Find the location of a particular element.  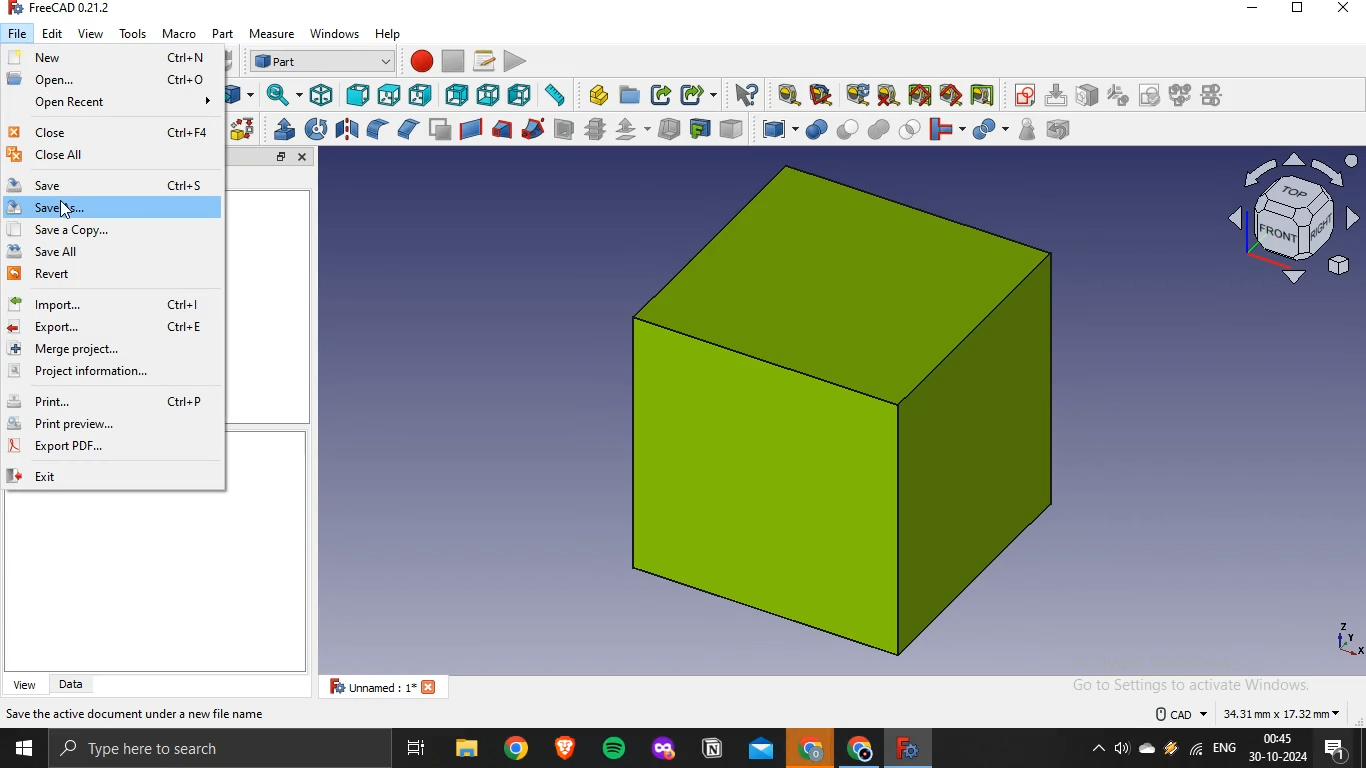

close is located at coordinates (304, 157).